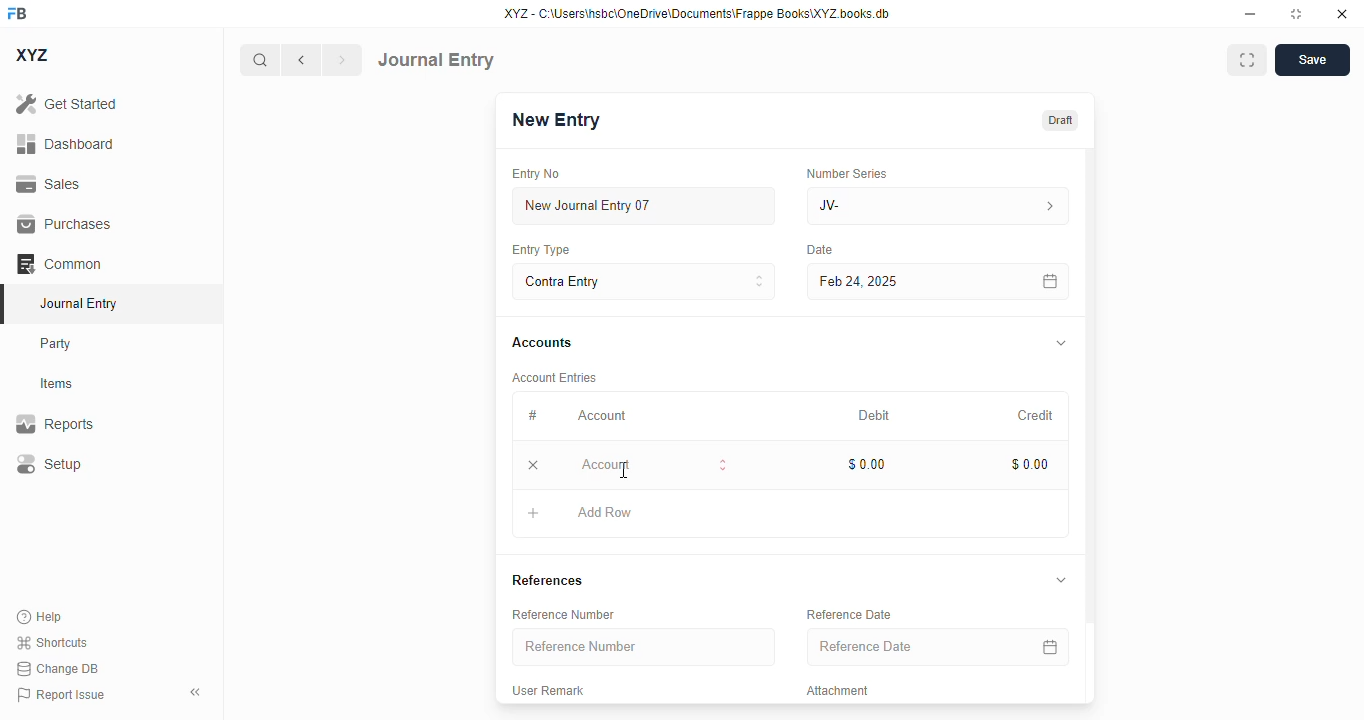 The width and height of the screenshot is (1364, 720). I want to click on reports, so click(55, 423).